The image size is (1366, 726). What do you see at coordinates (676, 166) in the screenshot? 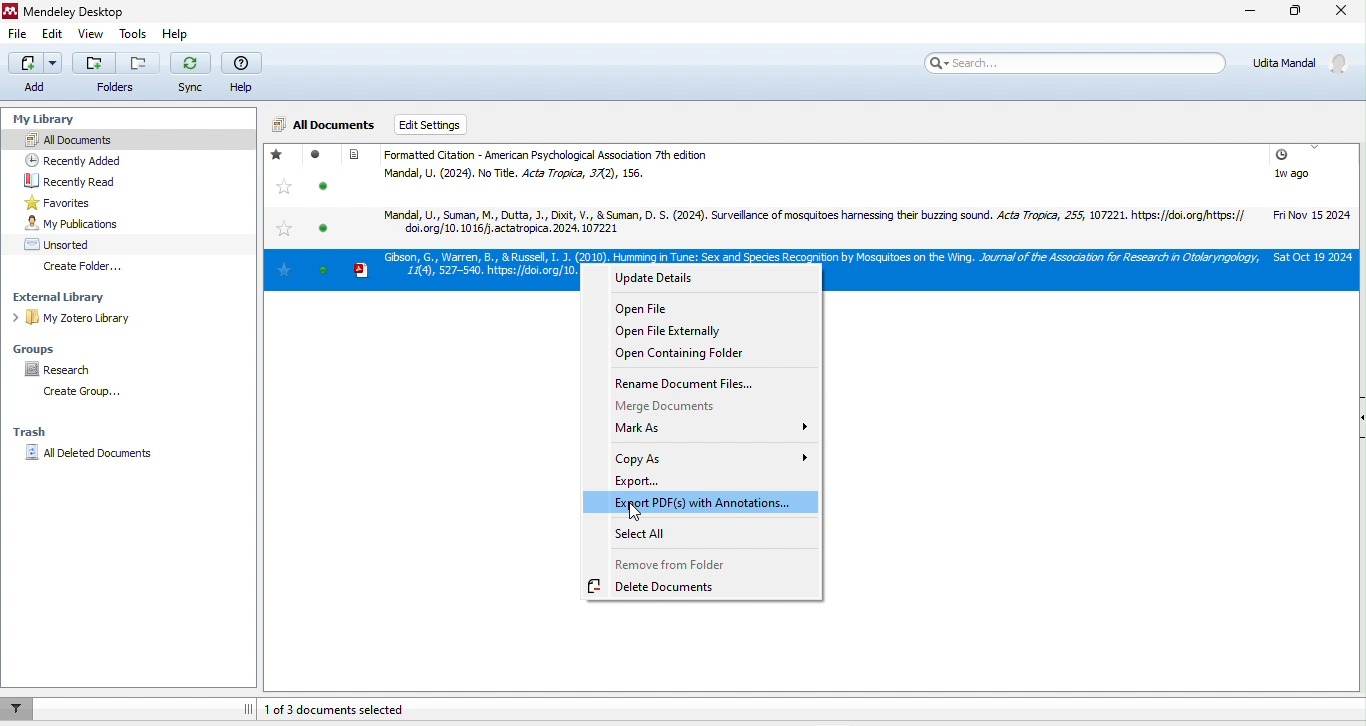
I see `Formatted Citation - American Psychological Association 7th edition
Mandal, U. (2024). No Tit. Acts Tropica, 372), 156.` at bounding box center [676, 166].